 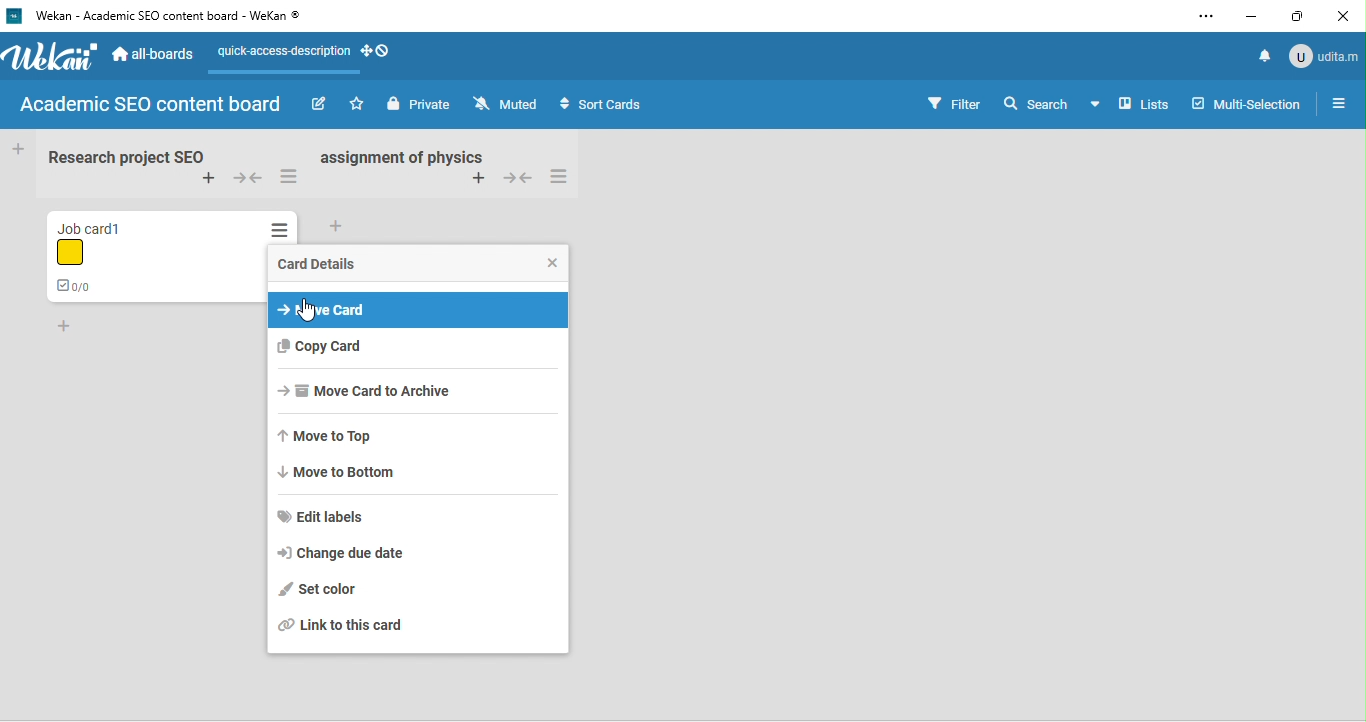 What do you see at coordinates (1265, 52) in the screenshot?
I see `notifications` at bounding box center [1265, 52].